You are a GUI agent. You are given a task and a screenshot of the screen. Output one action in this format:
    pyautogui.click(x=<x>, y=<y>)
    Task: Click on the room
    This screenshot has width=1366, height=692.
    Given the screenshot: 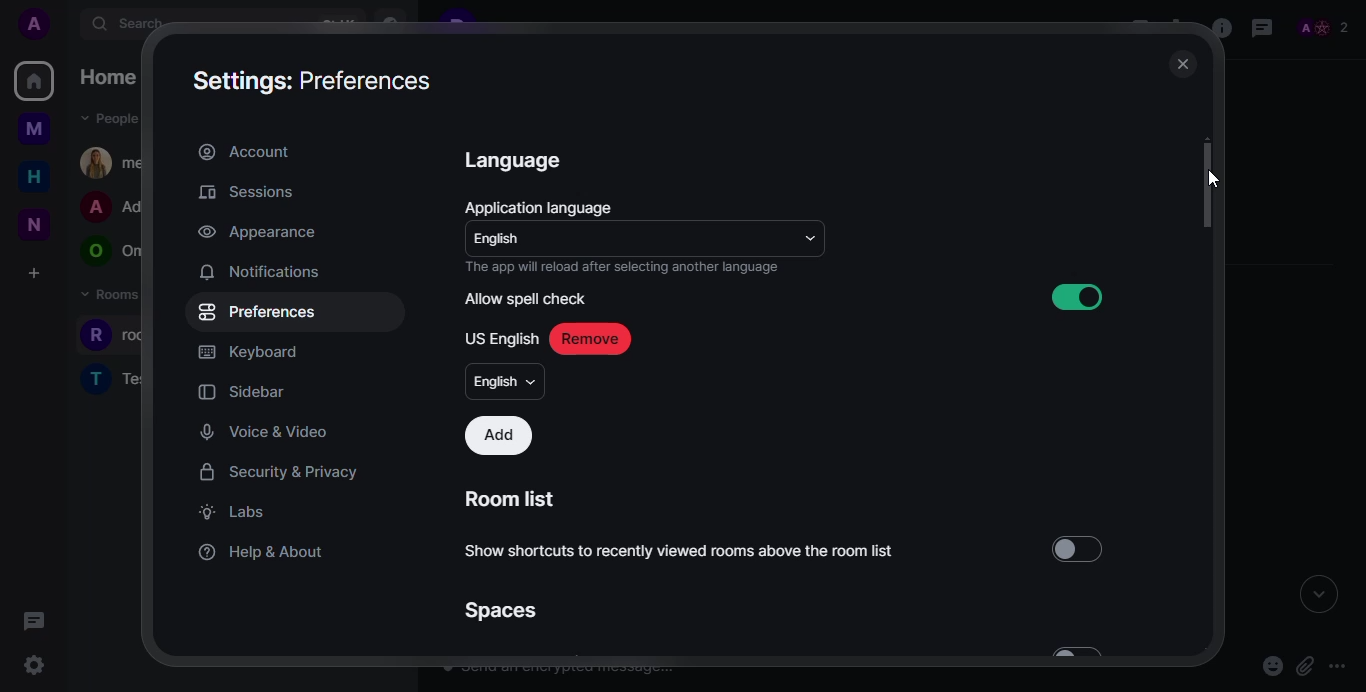 What is the action you would take?
    pyautogui.click(x=127, y=336)
    